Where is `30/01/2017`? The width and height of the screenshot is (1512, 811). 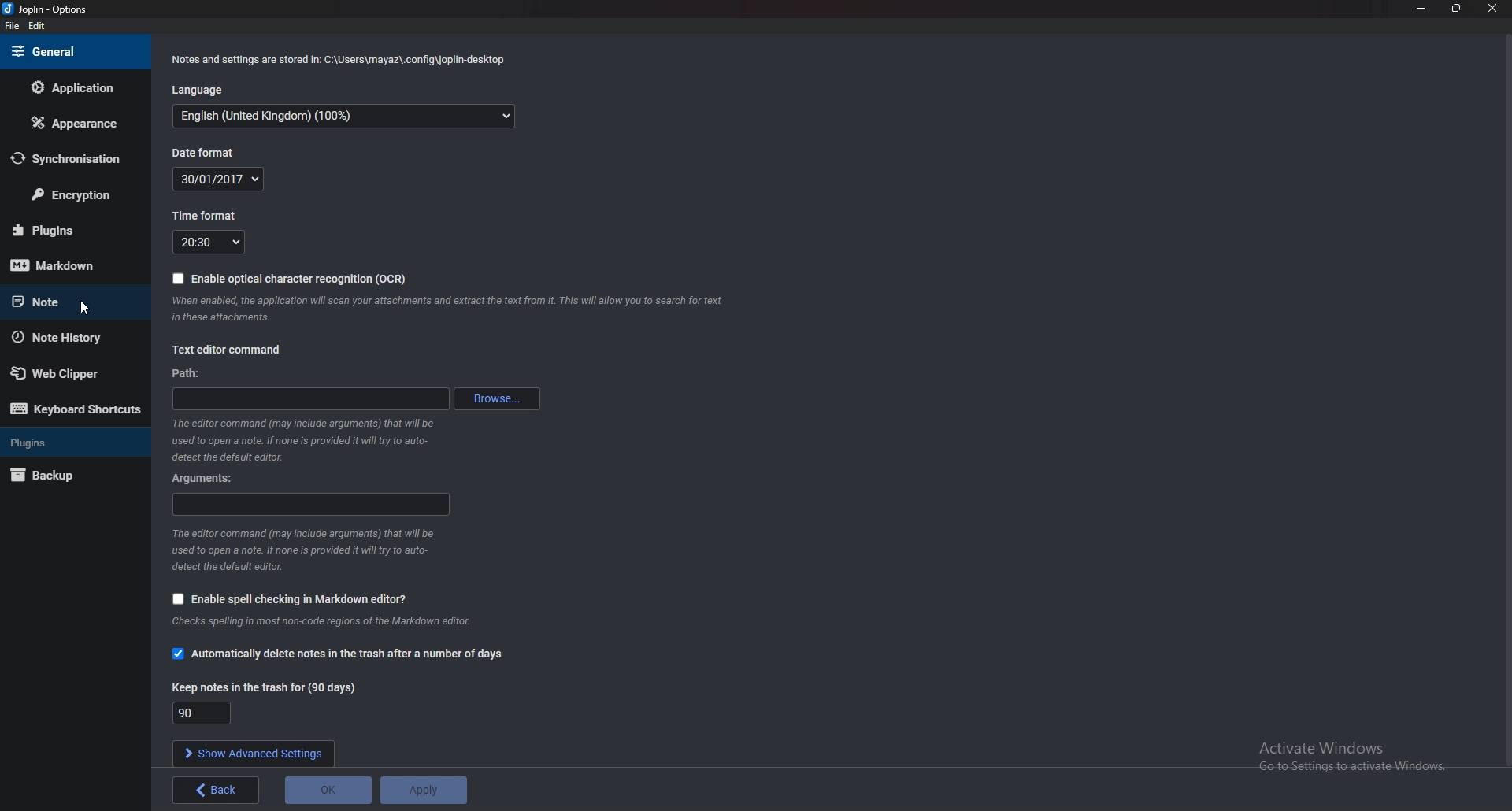
30/01/2017 is located at coordinates (221, 179).